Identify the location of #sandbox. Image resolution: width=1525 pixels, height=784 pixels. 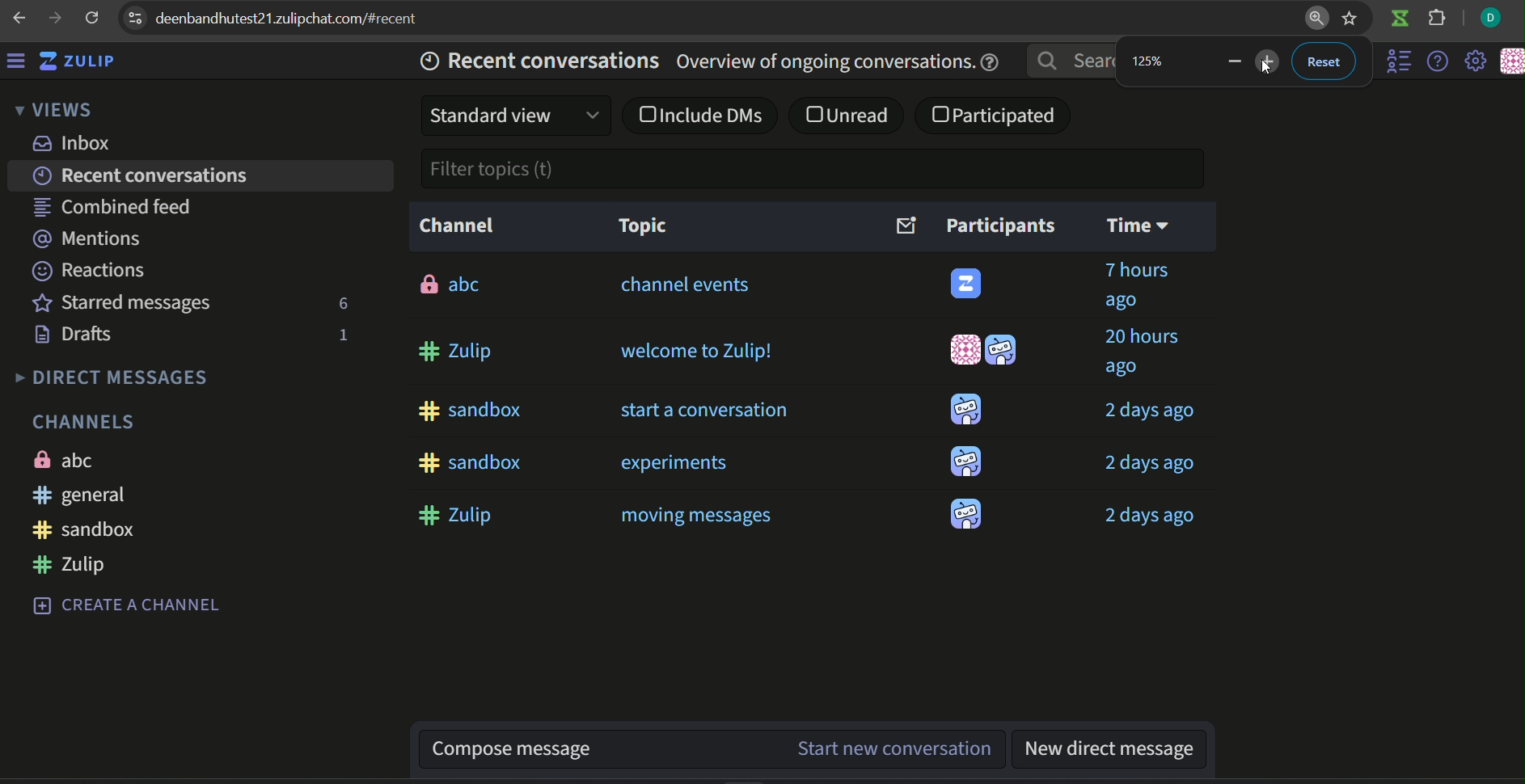
(84, 528).